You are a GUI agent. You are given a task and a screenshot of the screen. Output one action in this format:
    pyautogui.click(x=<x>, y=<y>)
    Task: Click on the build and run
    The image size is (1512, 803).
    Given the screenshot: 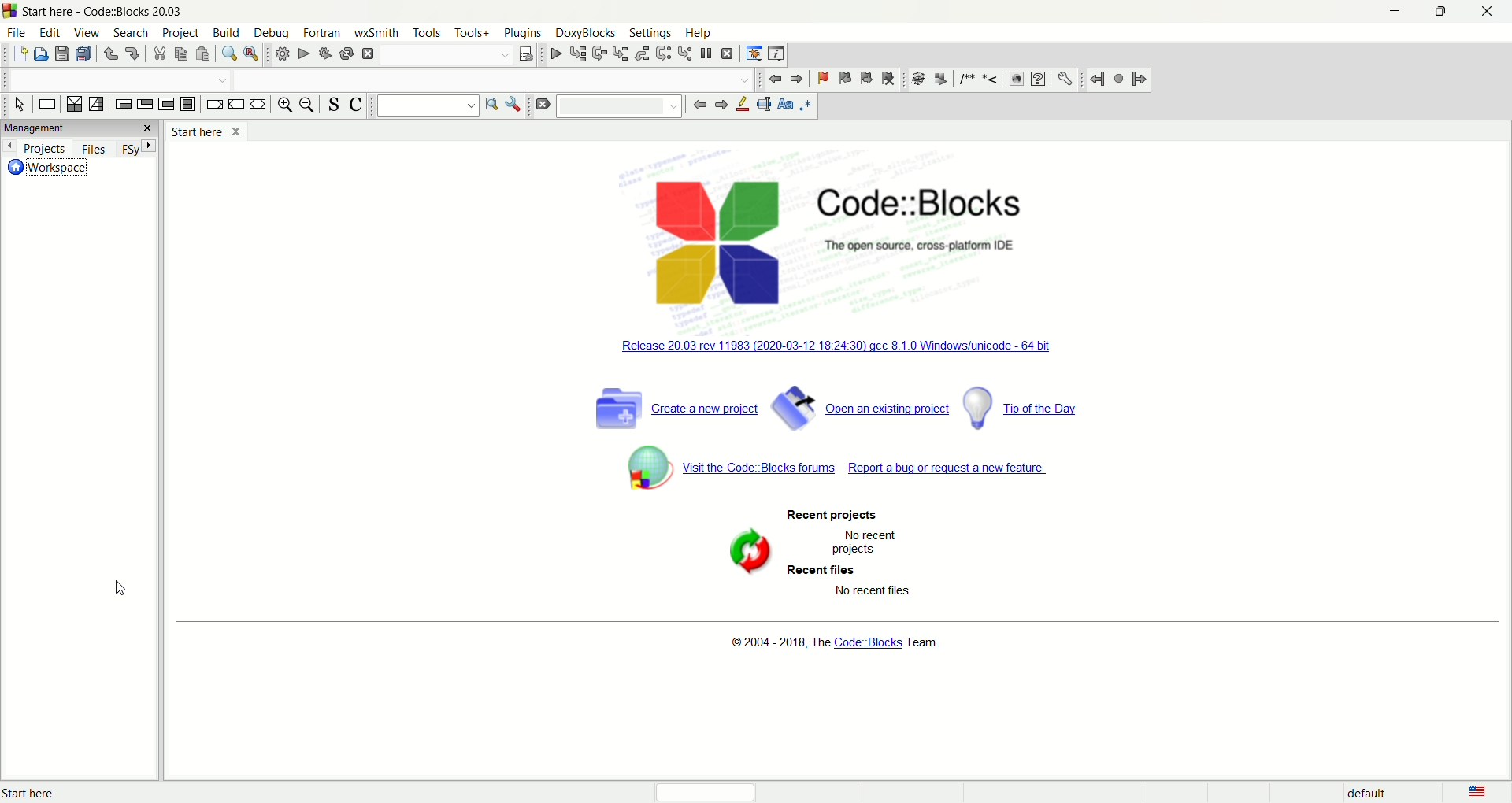 What is the action you would take?
    pyautogui.click(x=324, y=54)
    